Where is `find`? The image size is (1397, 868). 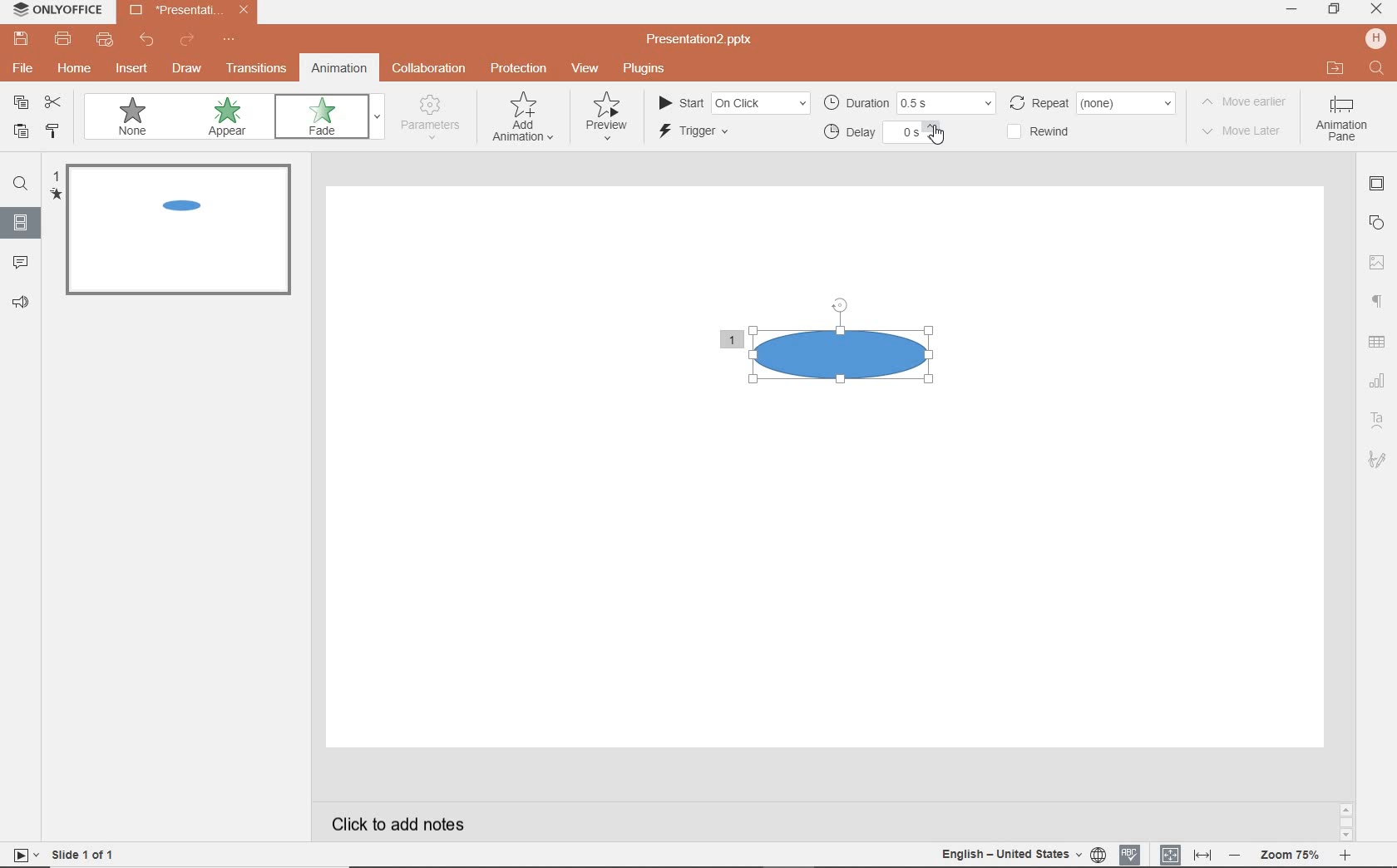 find is located at coordinates (1380, 69).